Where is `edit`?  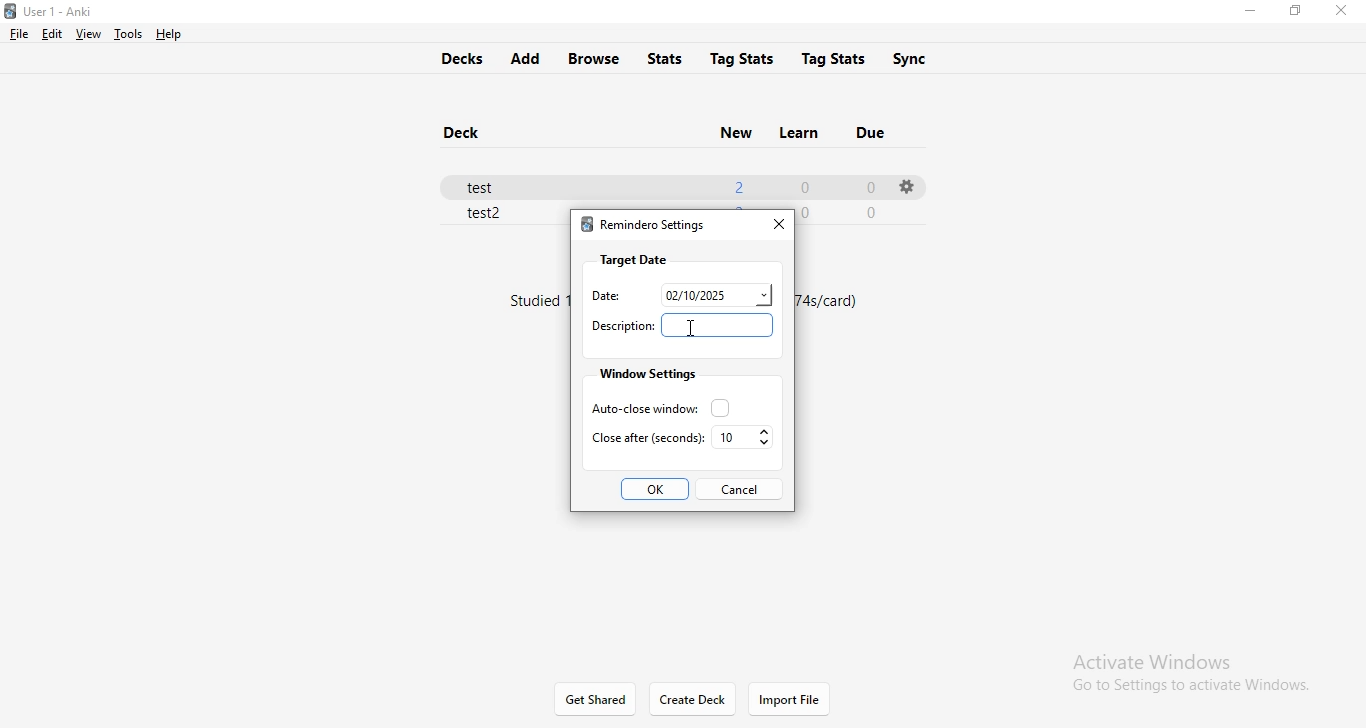
edit is located at coordinates (50, 33).